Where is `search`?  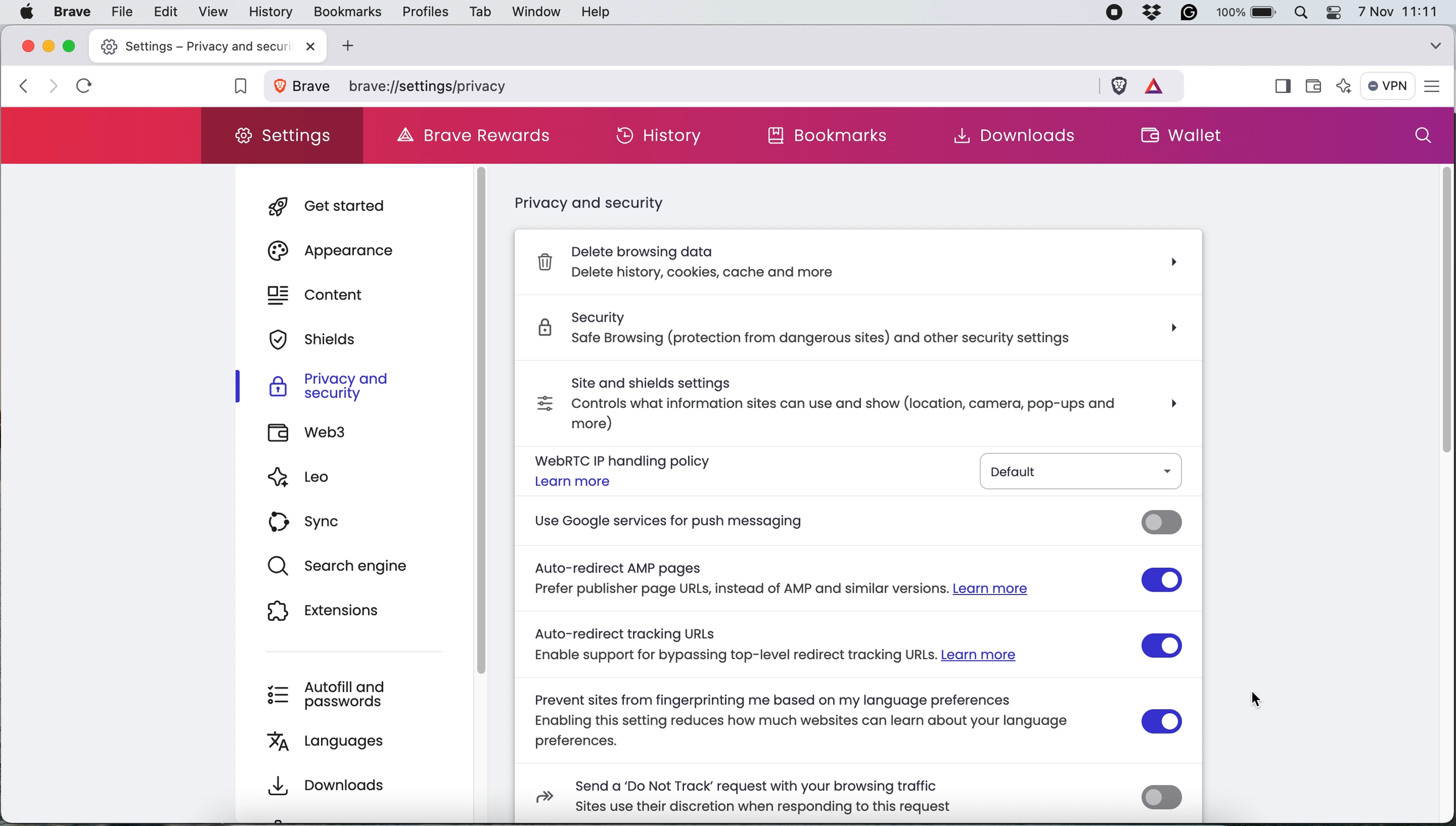
search is located at coordinates (1423, 136).